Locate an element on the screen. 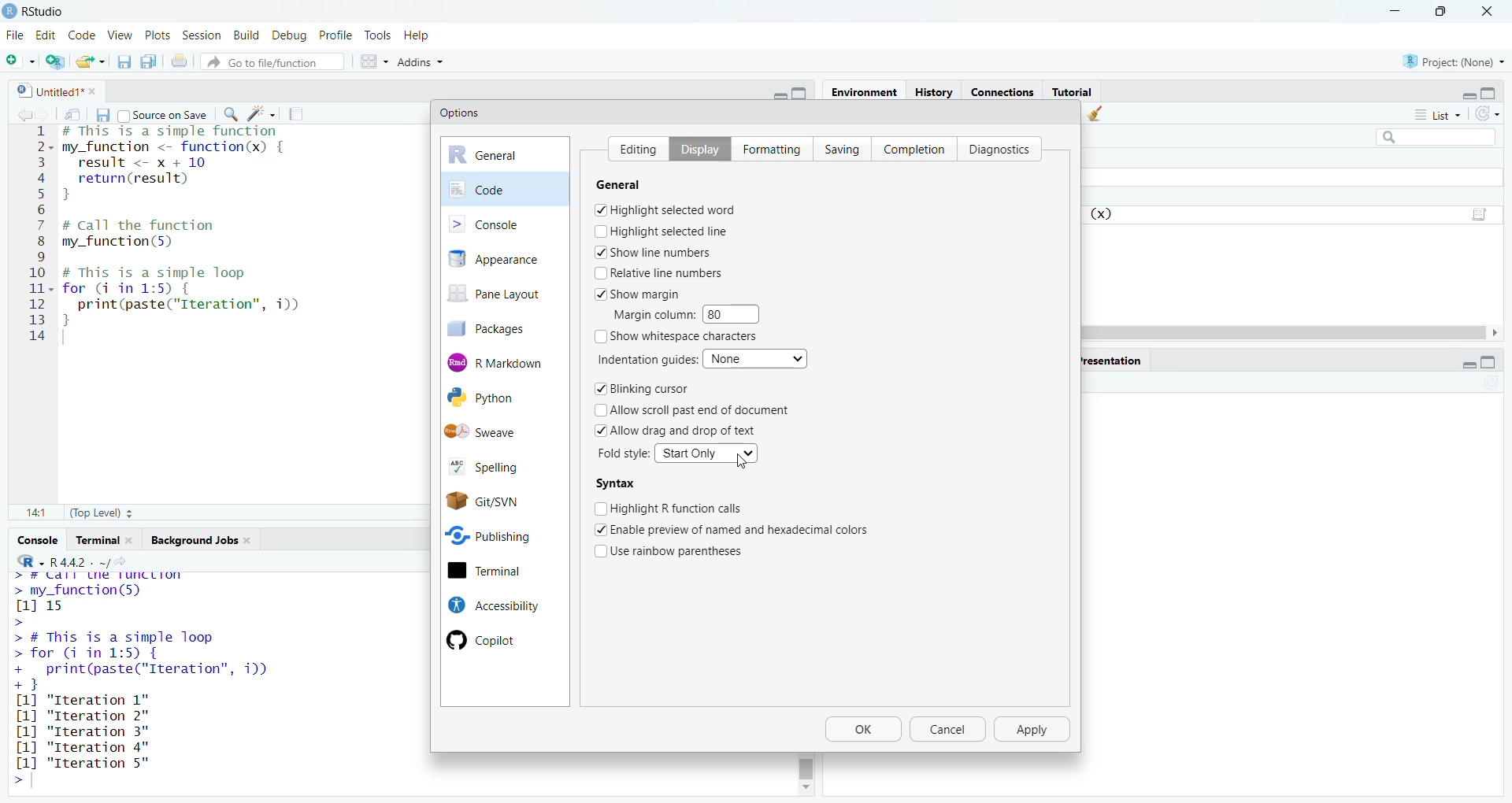 Image resolution: width=1512 pixels, height=803 pixels. Highlight R function calls is located at coordinates (670, 507).